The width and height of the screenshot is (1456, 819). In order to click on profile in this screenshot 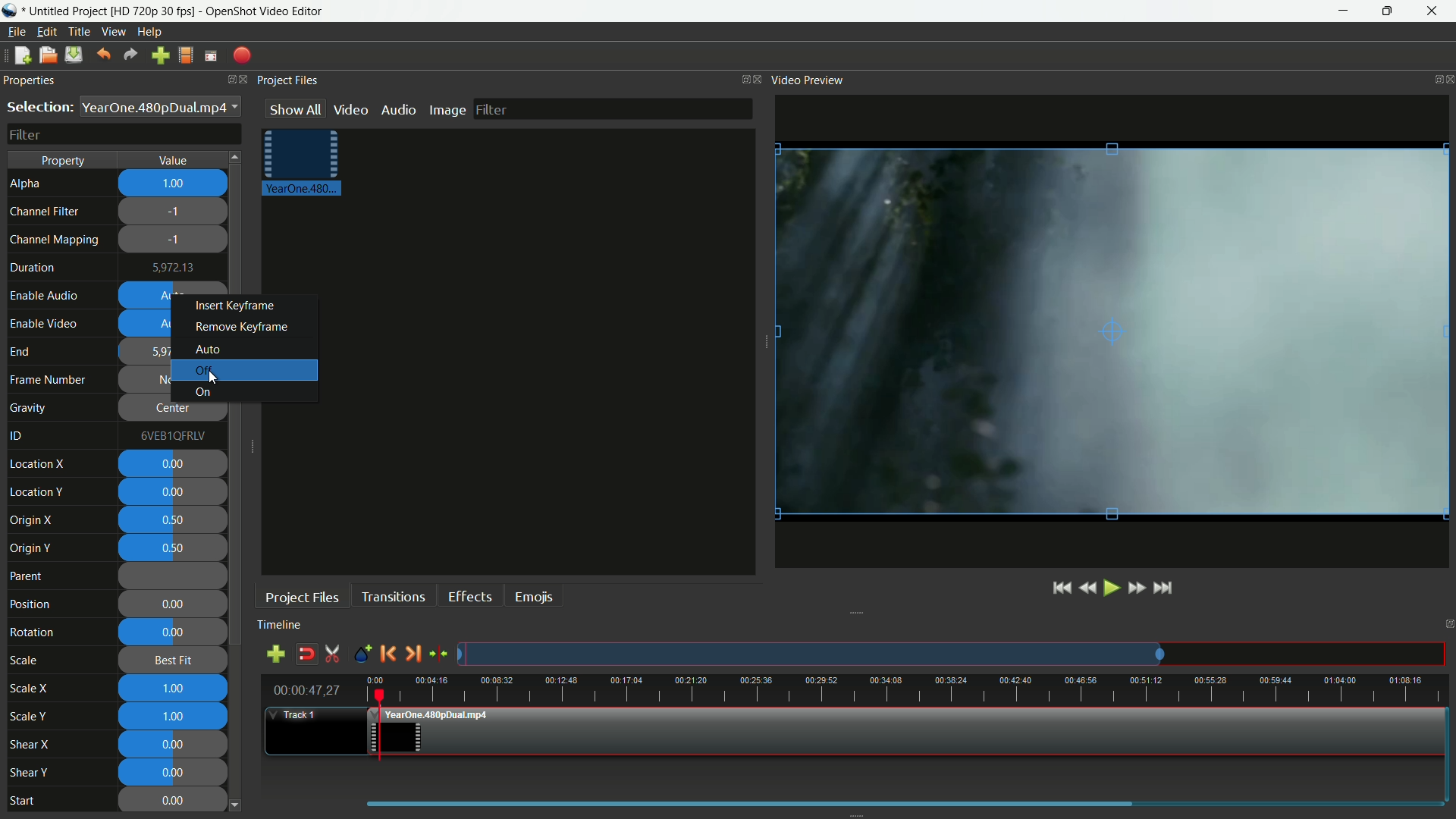, I will do `click(184, 55)`.